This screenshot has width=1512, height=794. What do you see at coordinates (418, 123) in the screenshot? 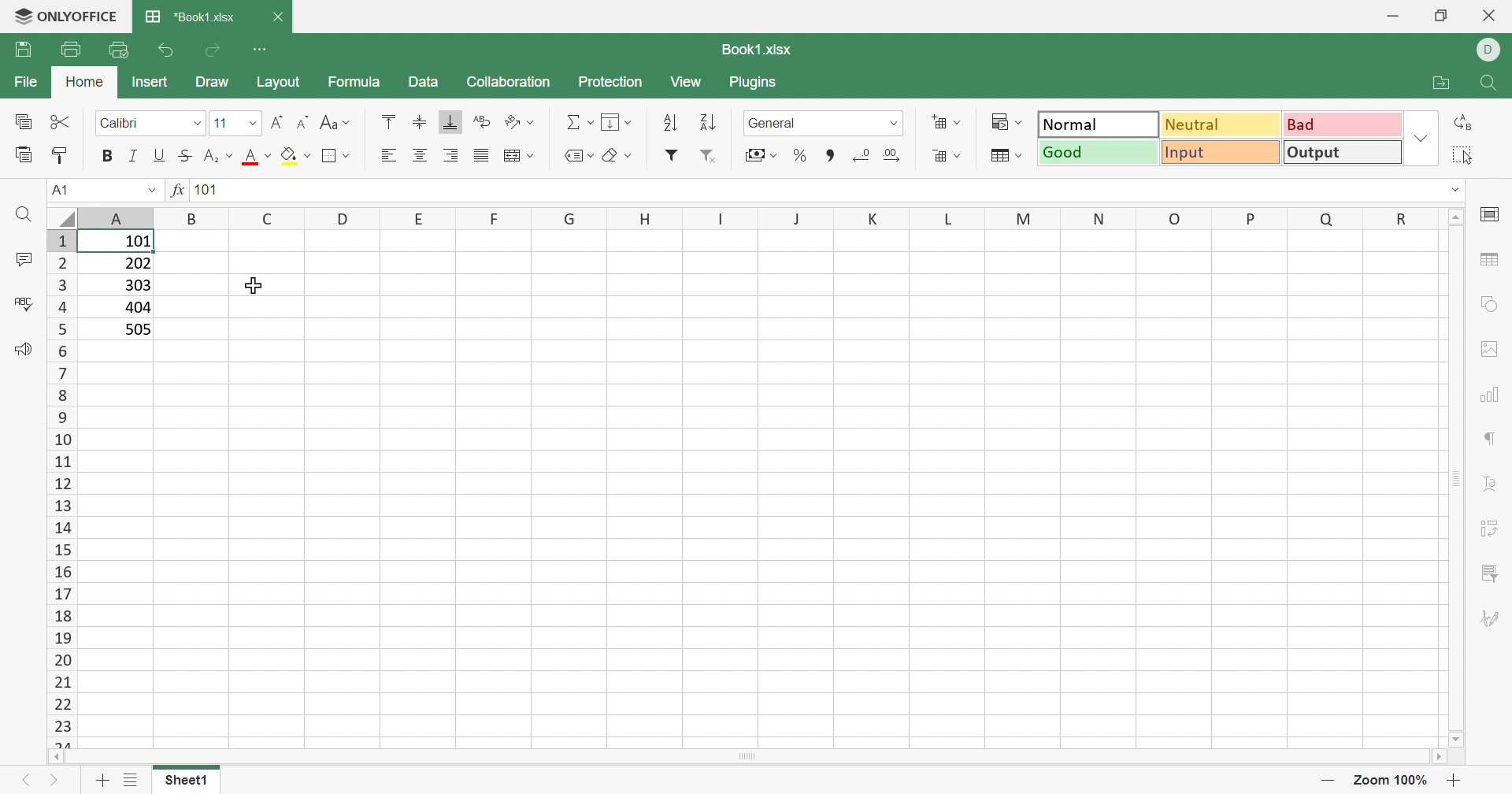
I see `Align Middle` at bounding box center [418, 123].